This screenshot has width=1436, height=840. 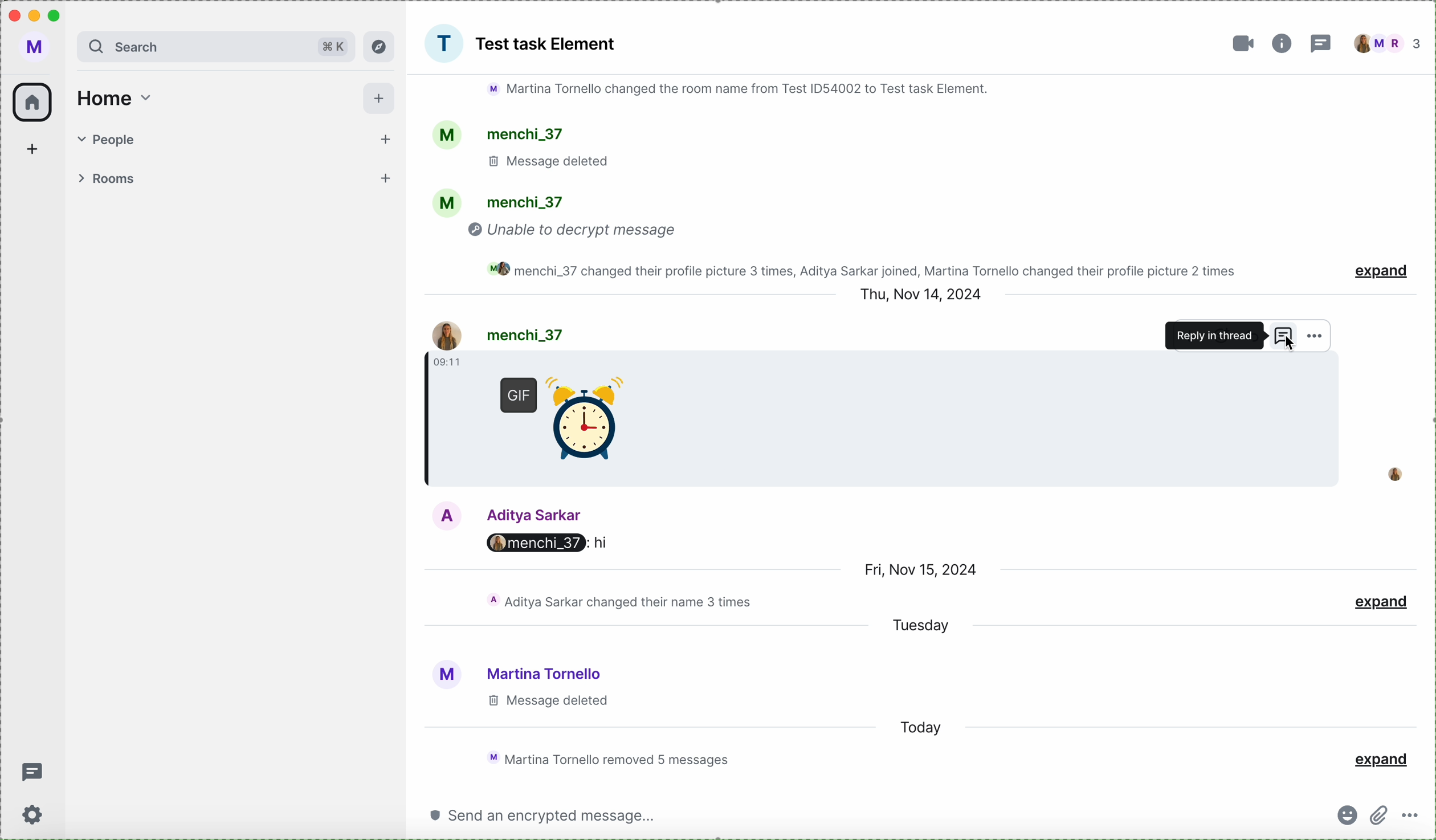 What do you see at coordinates (1284, 44) in the screenshot?
I see `information` at bounding box center [1284, 44].